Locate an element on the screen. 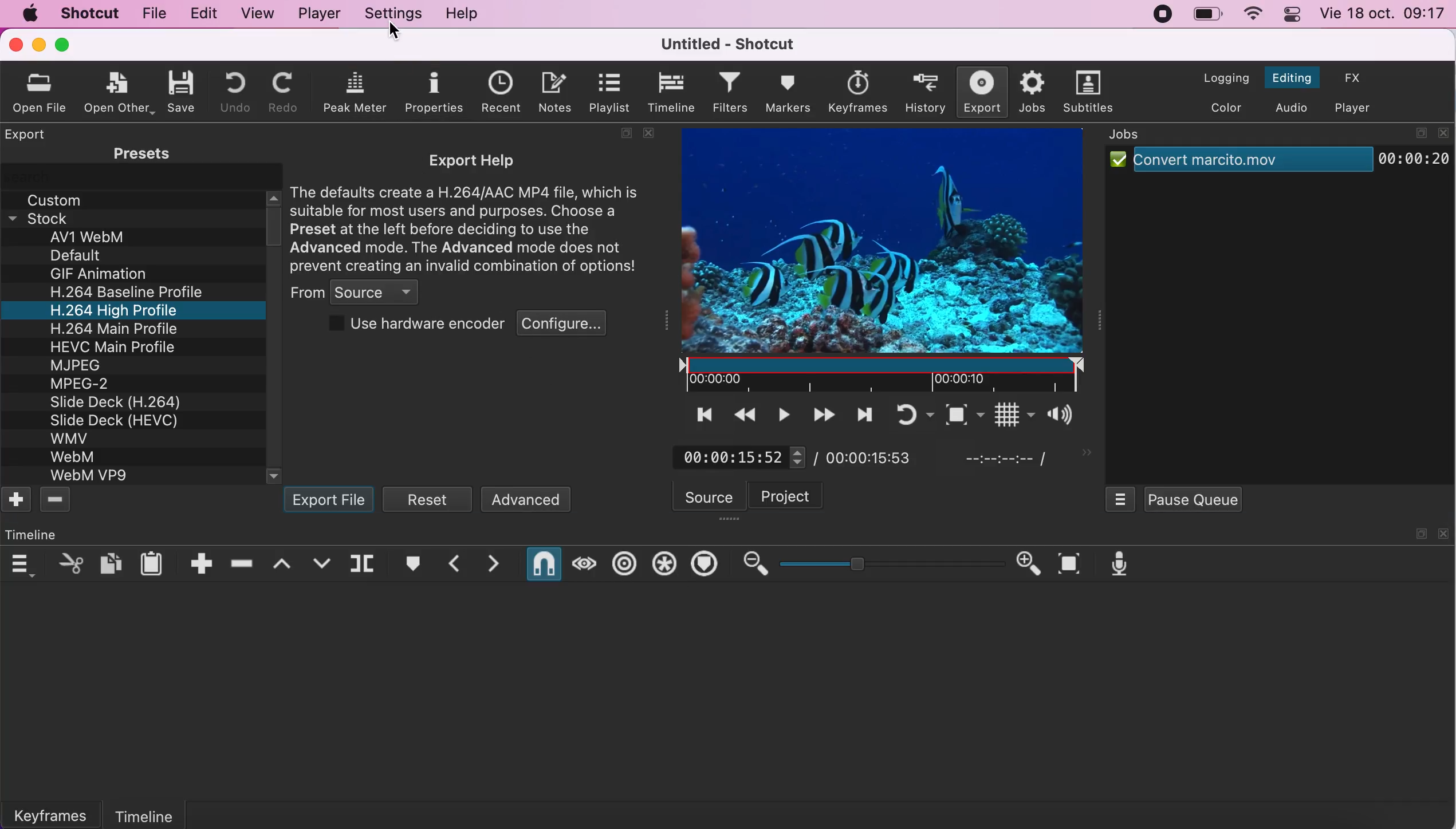 The image size is (1456, 829). lift is located at coordinates (283, 564).